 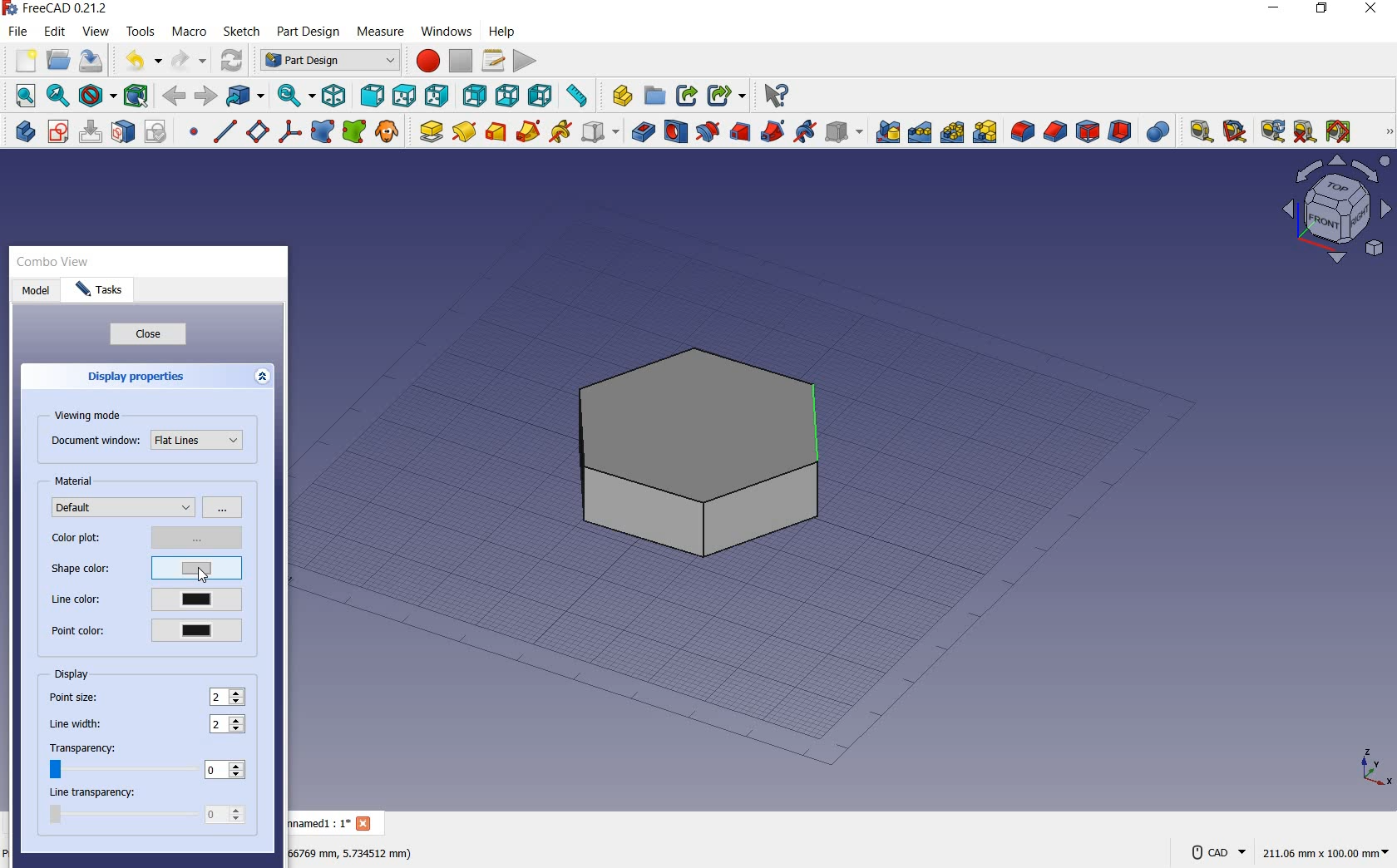 What do you see at coordinates (225, 763) in the screenshot?
I see `0(value)` at bounding box center [225, 763].